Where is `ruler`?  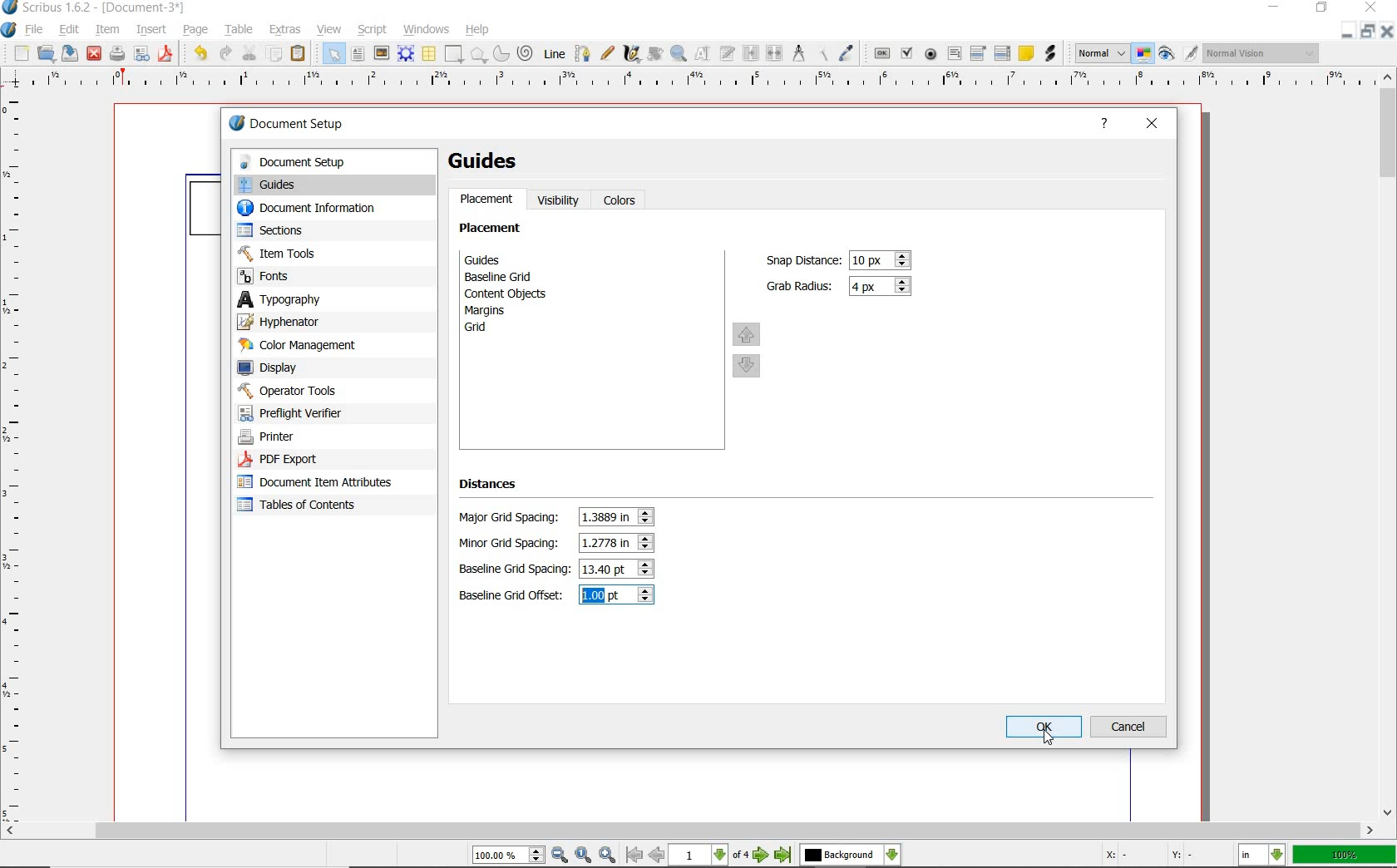
ruler is located at coordinates (19, 460).